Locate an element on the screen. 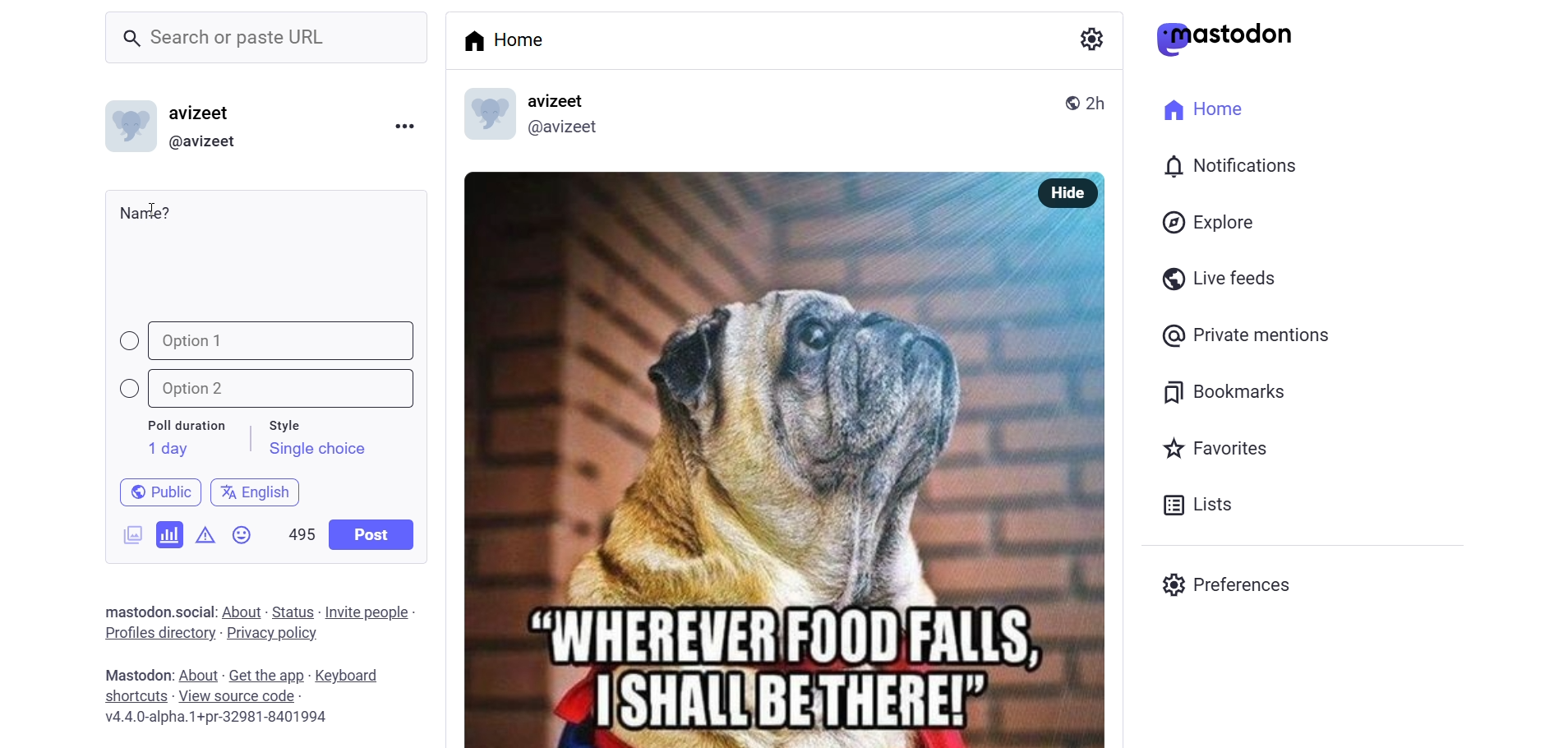 The image size is (1568, 748). social is located at coordinates (192, 612).